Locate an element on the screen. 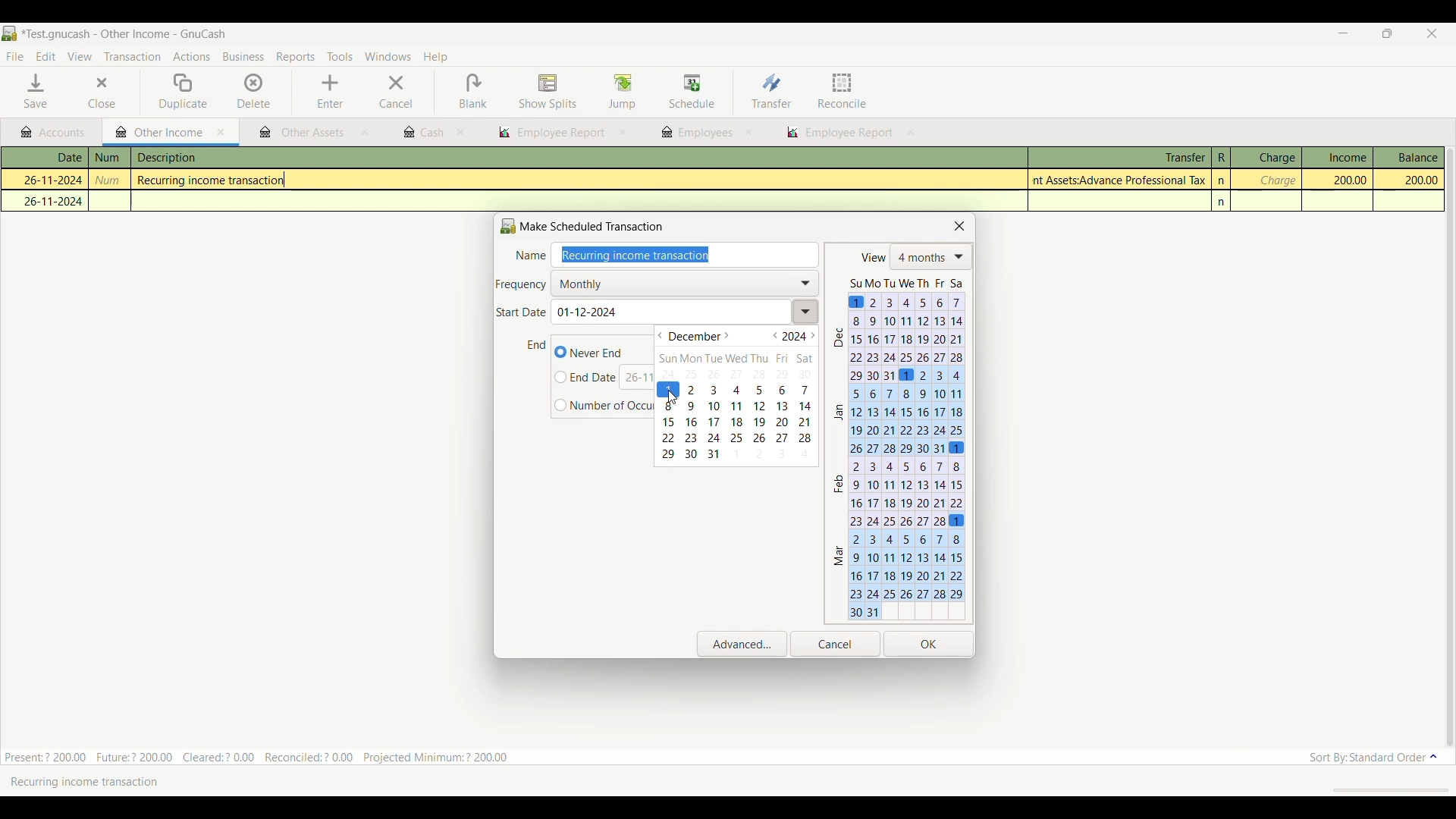 The width and height of the screenshot is (1456, 819). Selected date highlighted in calendar is located at coordinates (668, 390).